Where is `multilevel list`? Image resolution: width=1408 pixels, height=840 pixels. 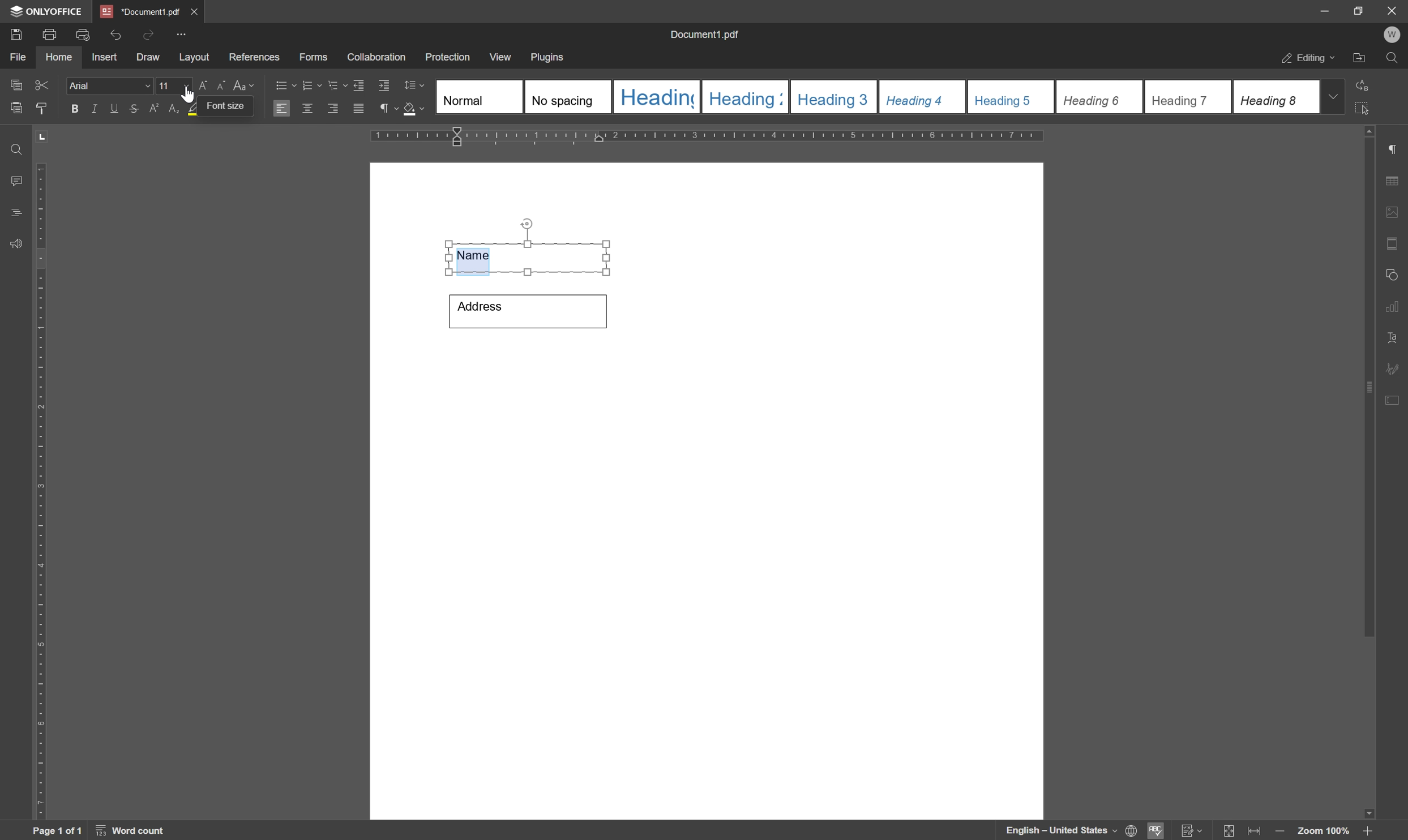 multilevel list is located at coordinates (336, 85).